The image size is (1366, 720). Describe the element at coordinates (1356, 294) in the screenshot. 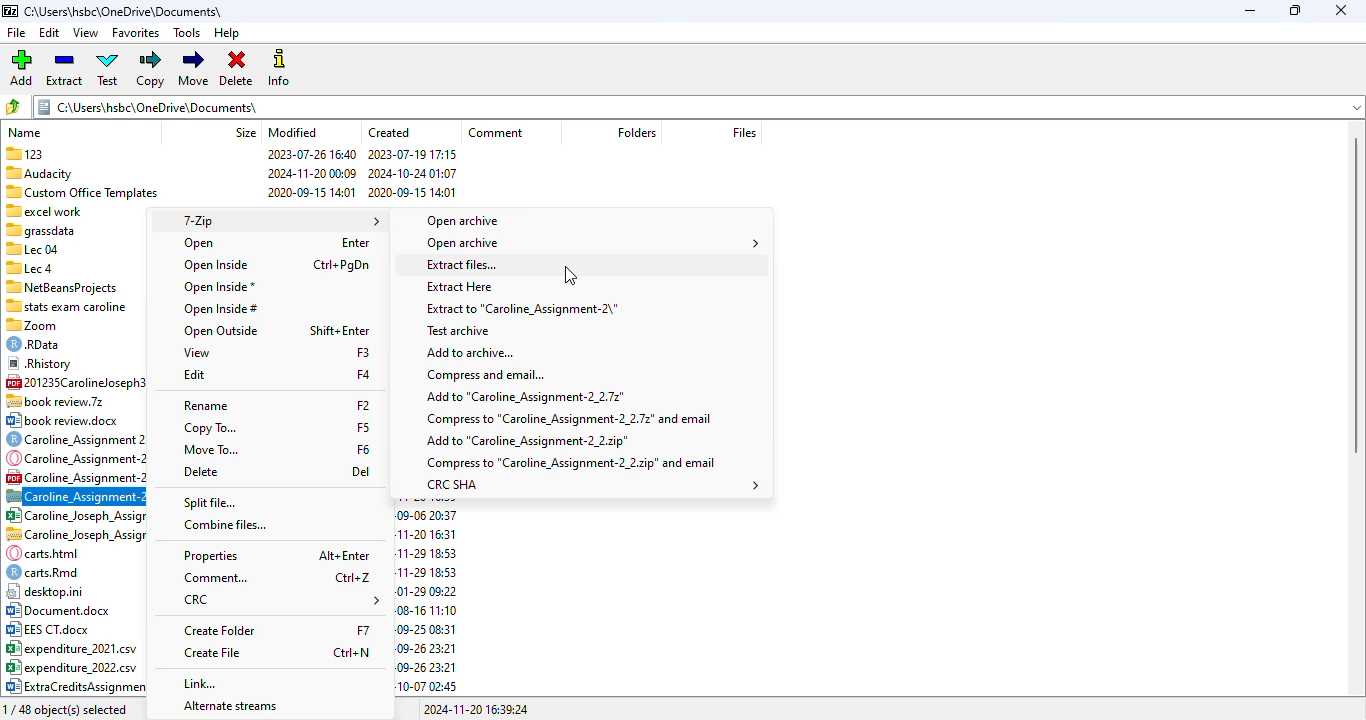

I see `vertical scroll bar` at that location.